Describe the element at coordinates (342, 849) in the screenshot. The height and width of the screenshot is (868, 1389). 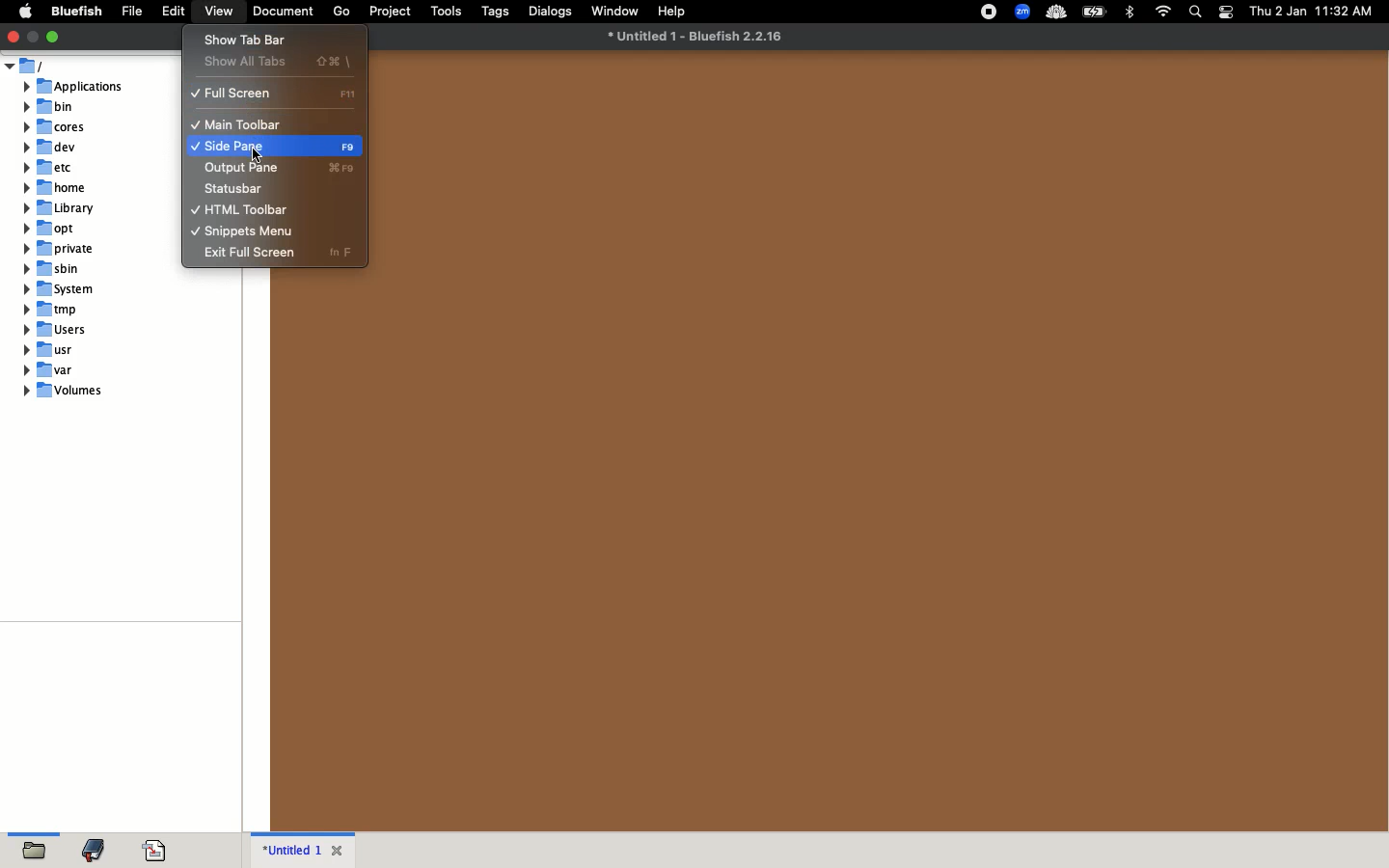
I see `close` at that location.